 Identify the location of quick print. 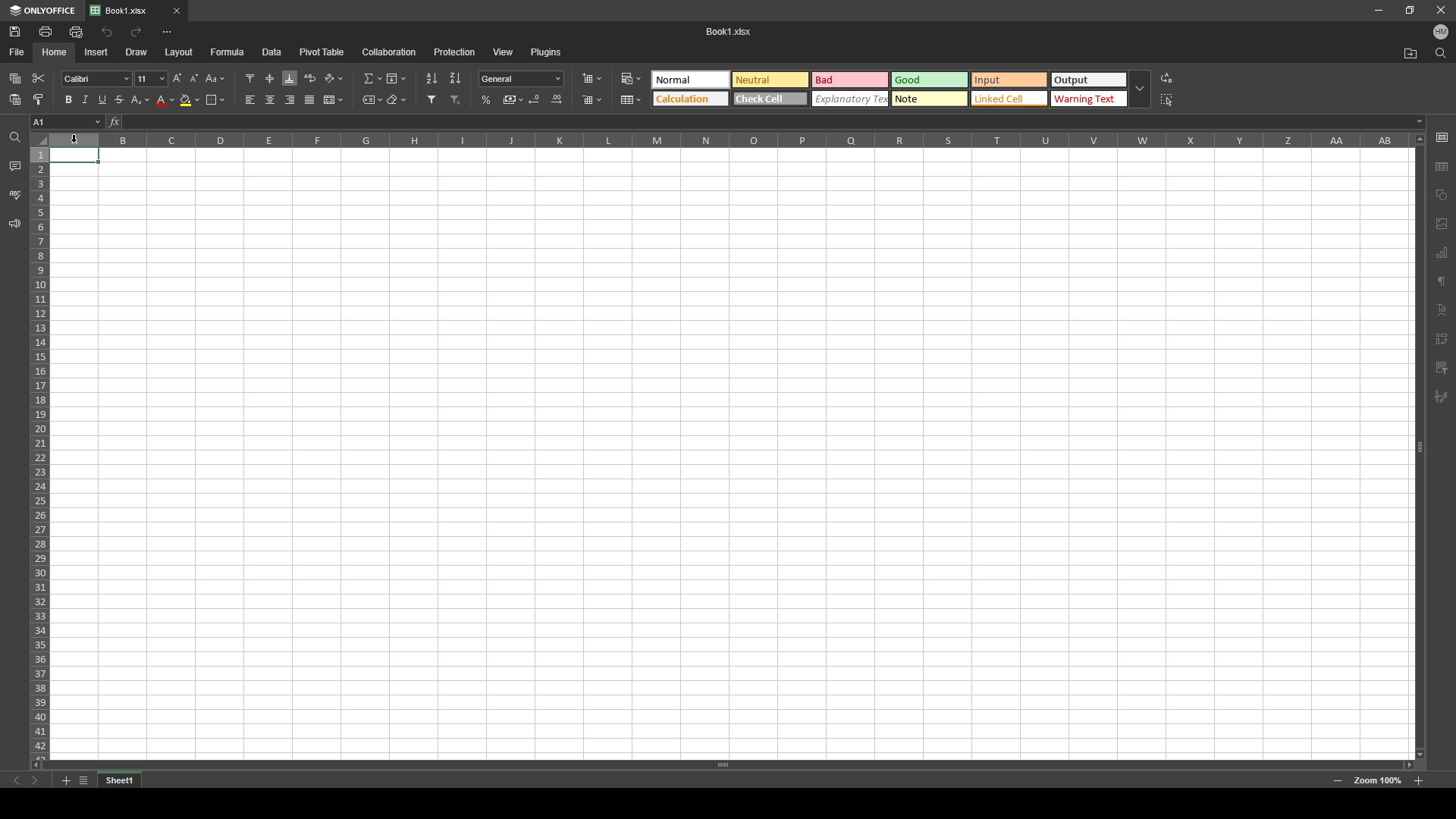
(75, 31).